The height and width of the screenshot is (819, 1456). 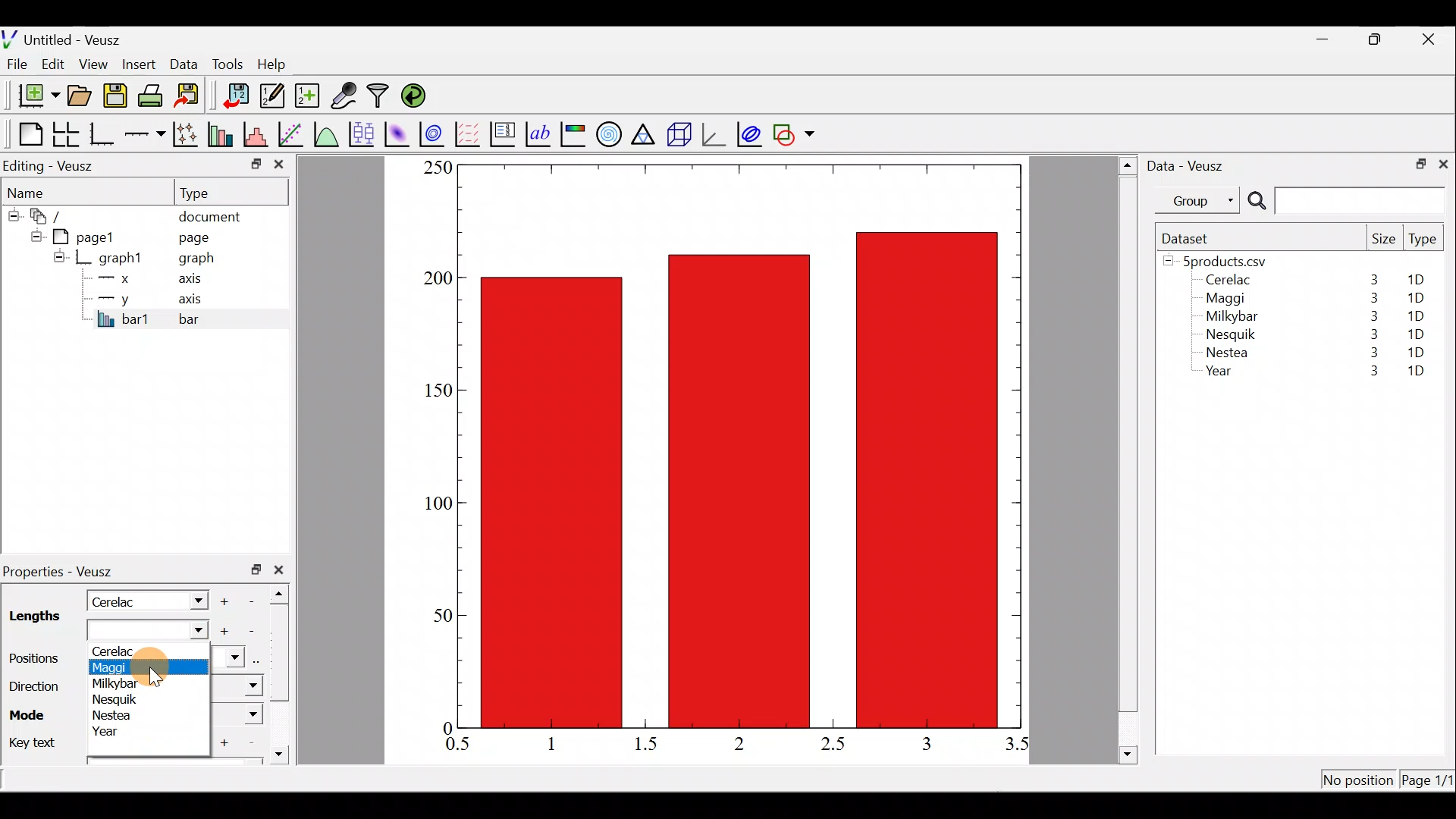 I want to click on Properties - Veusz, so click(x=64, y=572).